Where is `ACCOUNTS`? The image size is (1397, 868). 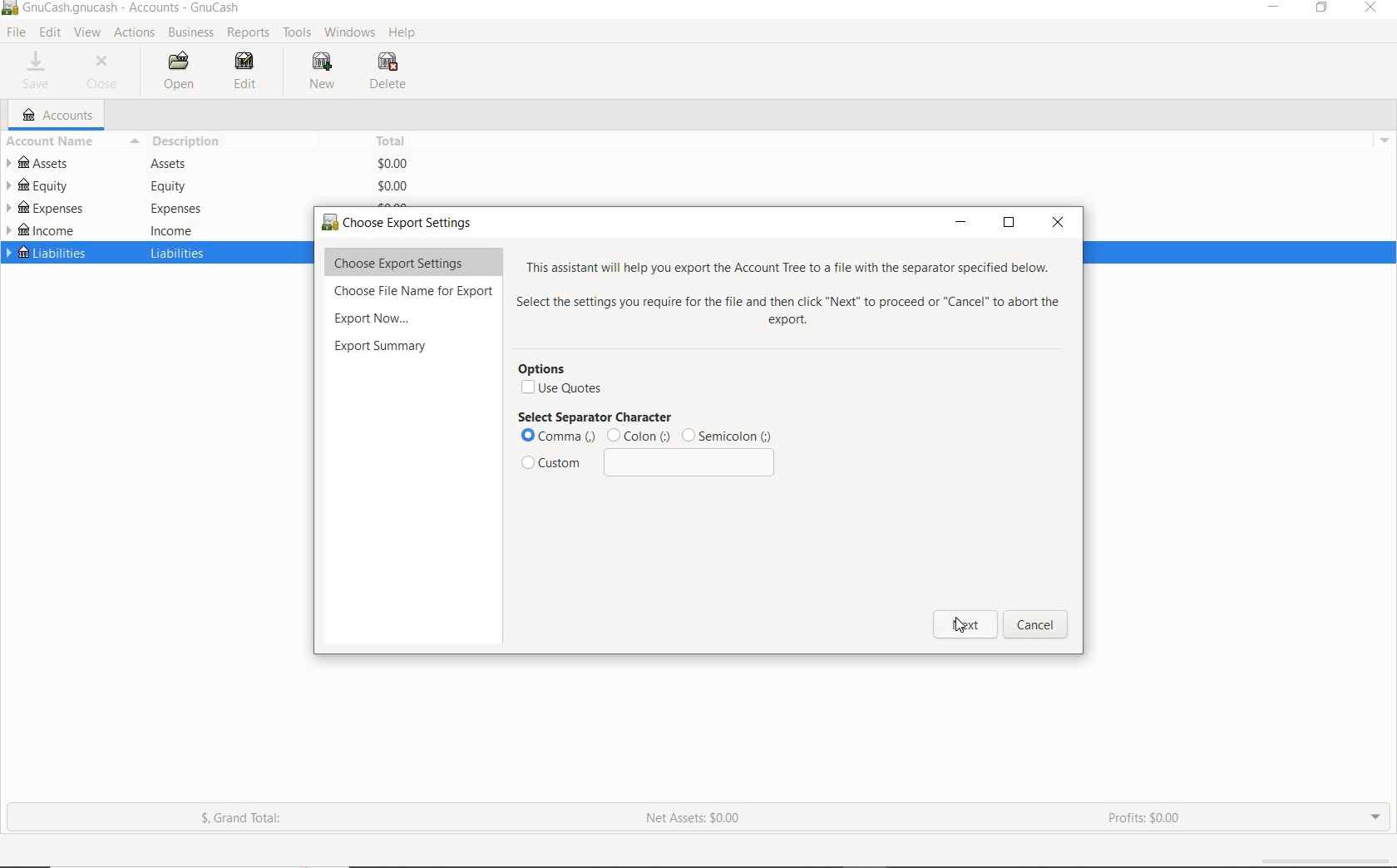
ACCOUNTS is located at coordinates (55, 115).